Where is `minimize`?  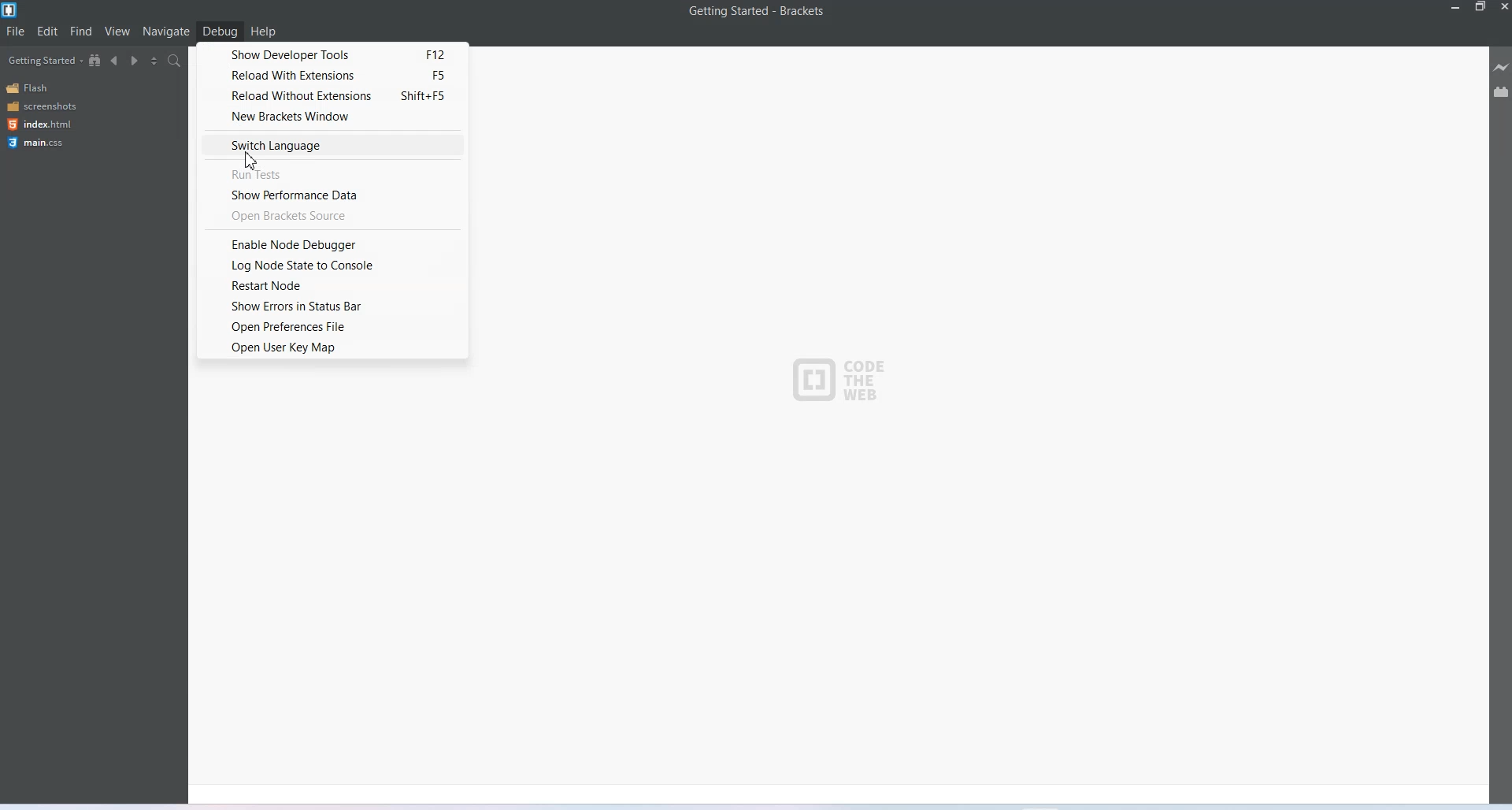
minimize is located at coordinates (1454, 8).